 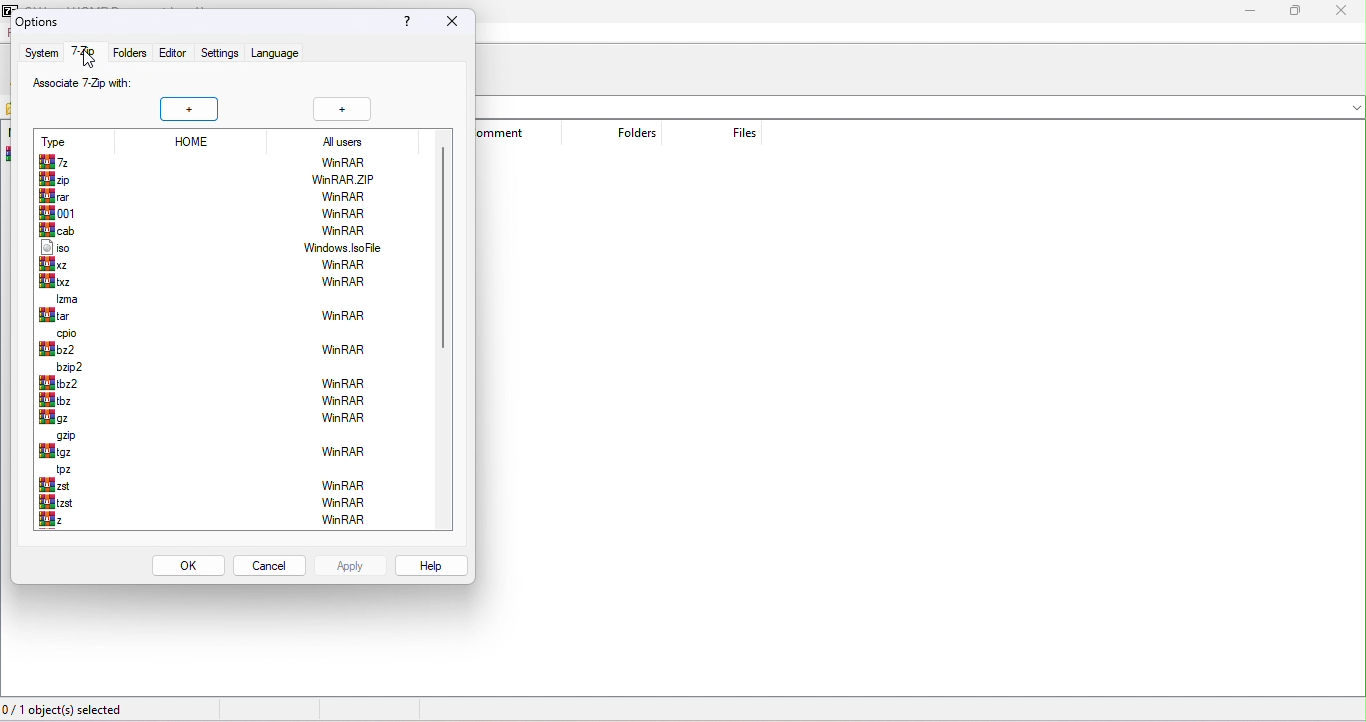 I want to click on tzst, so click(x=64, y=502).